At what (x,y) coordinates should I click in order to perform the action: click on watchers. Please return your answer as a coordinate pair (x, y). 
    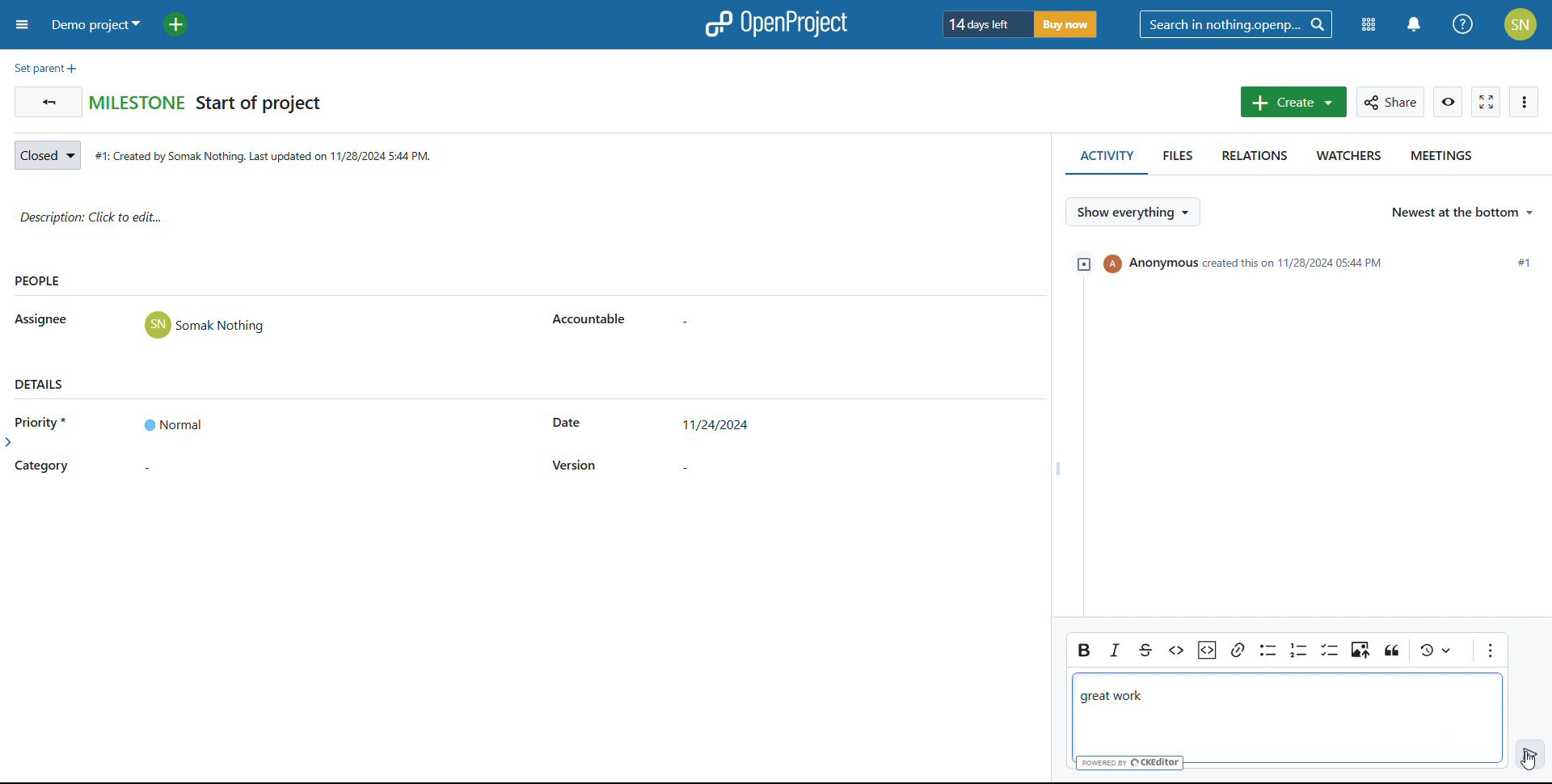
    Looking at the image, I should click on (1346, 159).